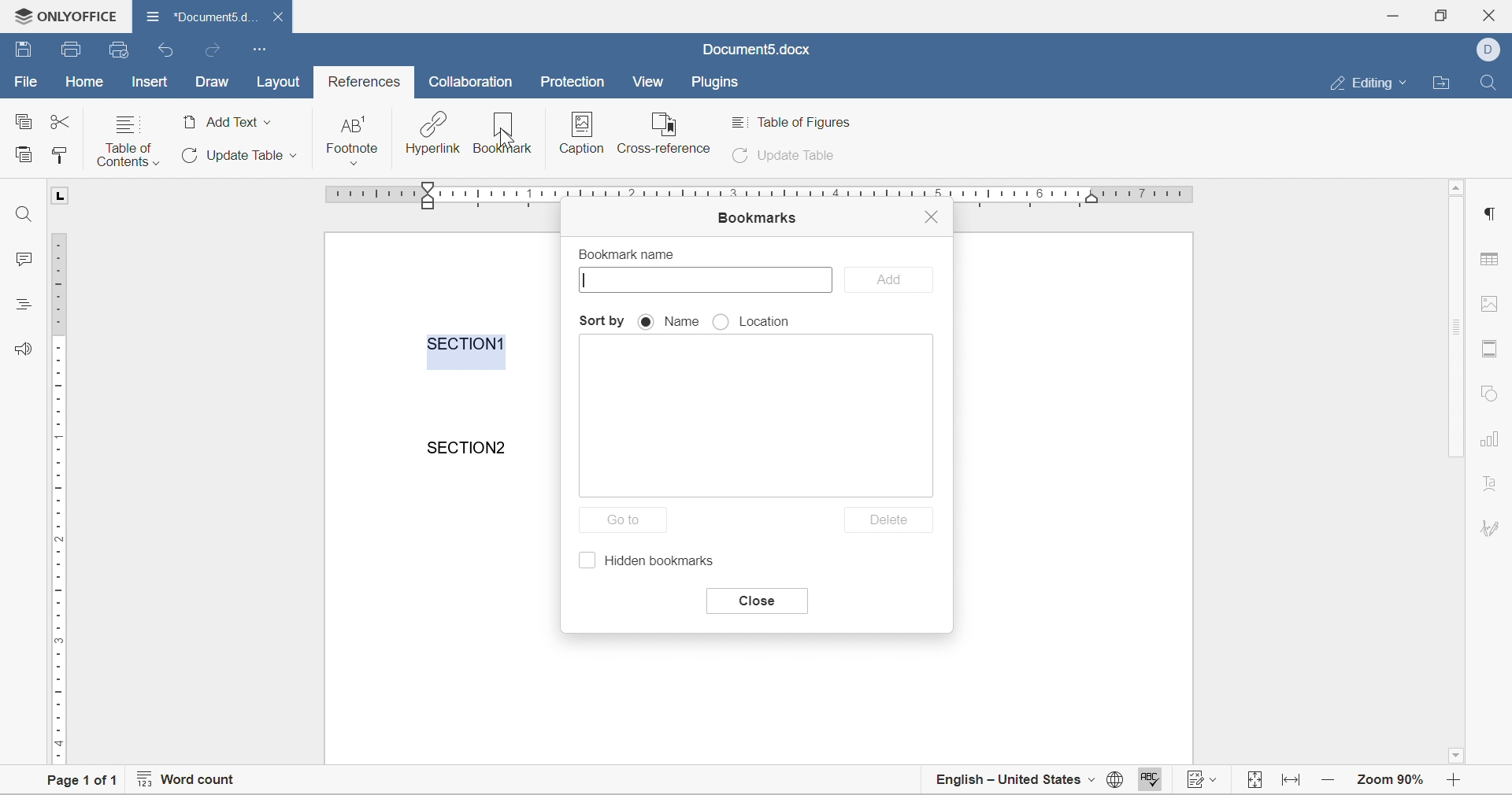 The width and height of the screenshot is (1512, 795). Describe the element at coordinates (1492, 261) in the screenshot. I see `table settings` at that location.